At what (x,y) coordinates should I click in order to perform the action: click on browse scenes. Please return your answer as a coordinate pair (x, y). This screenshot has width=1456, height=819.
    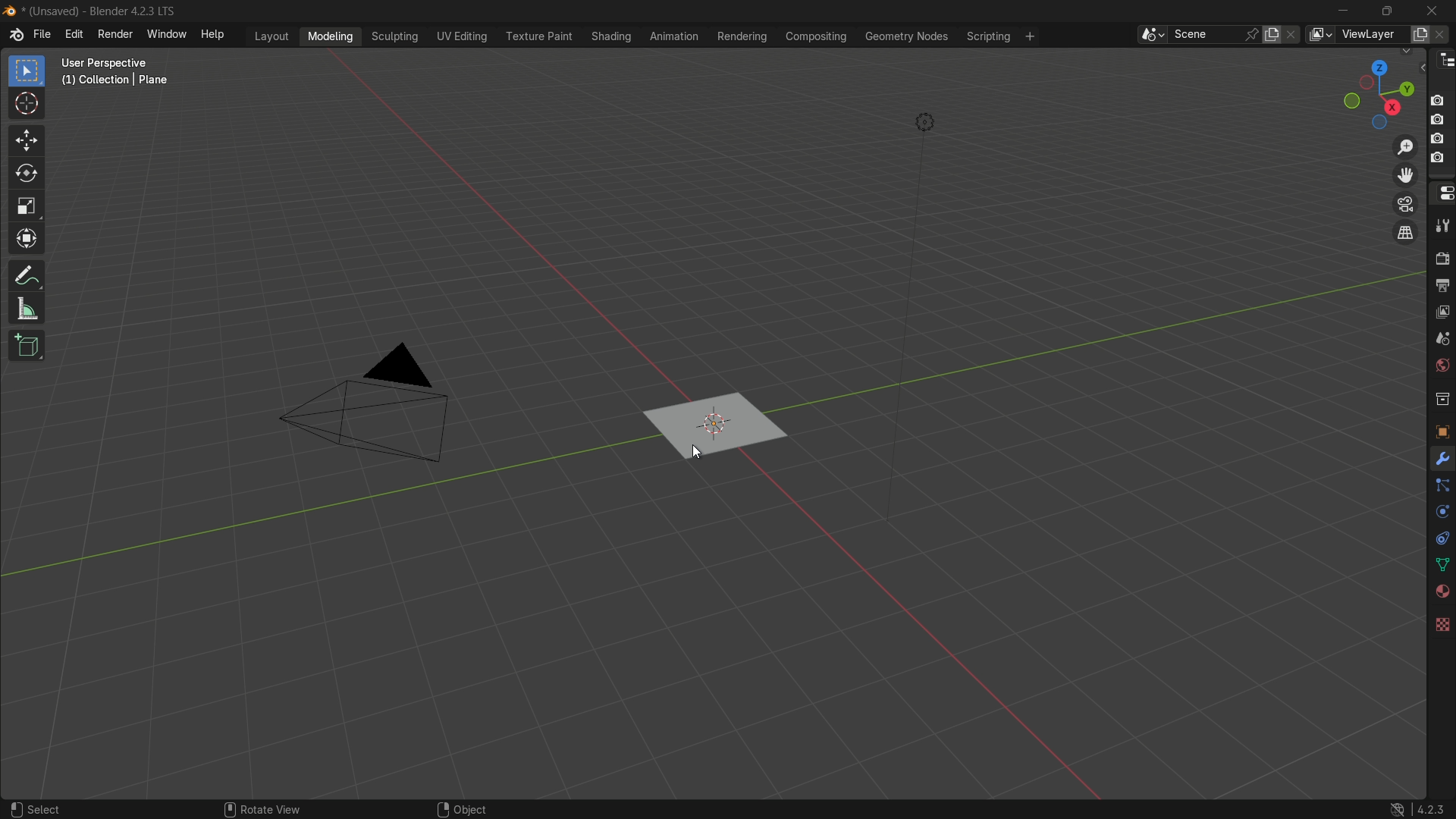
    Looking at the image, I should click on (1142, 33).